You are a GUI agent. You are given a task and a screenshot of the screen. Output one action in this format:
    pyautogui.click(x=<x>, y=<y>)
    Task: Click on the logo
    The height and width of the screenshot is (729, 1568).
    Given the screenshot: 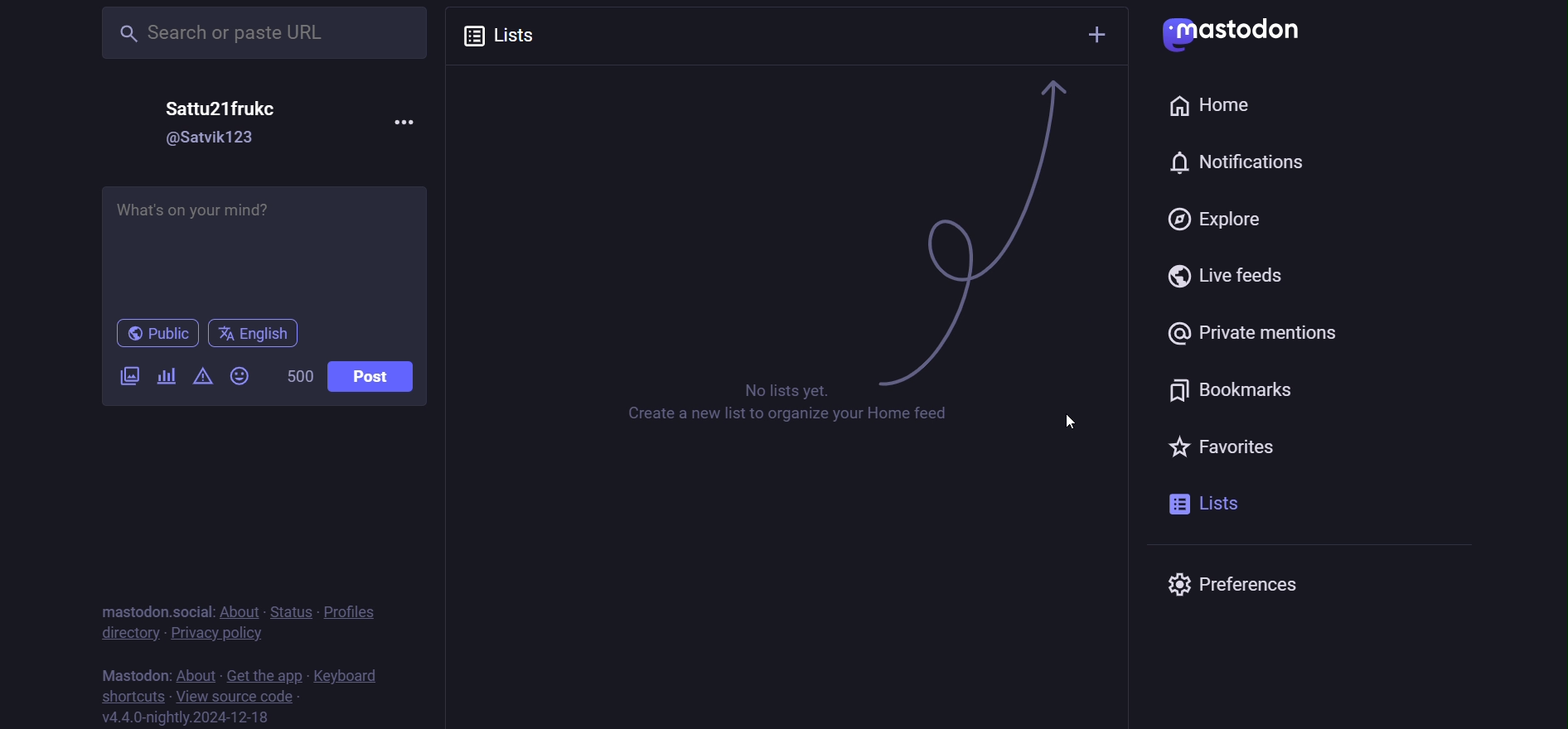 What is the action you would take?
    pyautogui.click(x=1234, y=33)
    